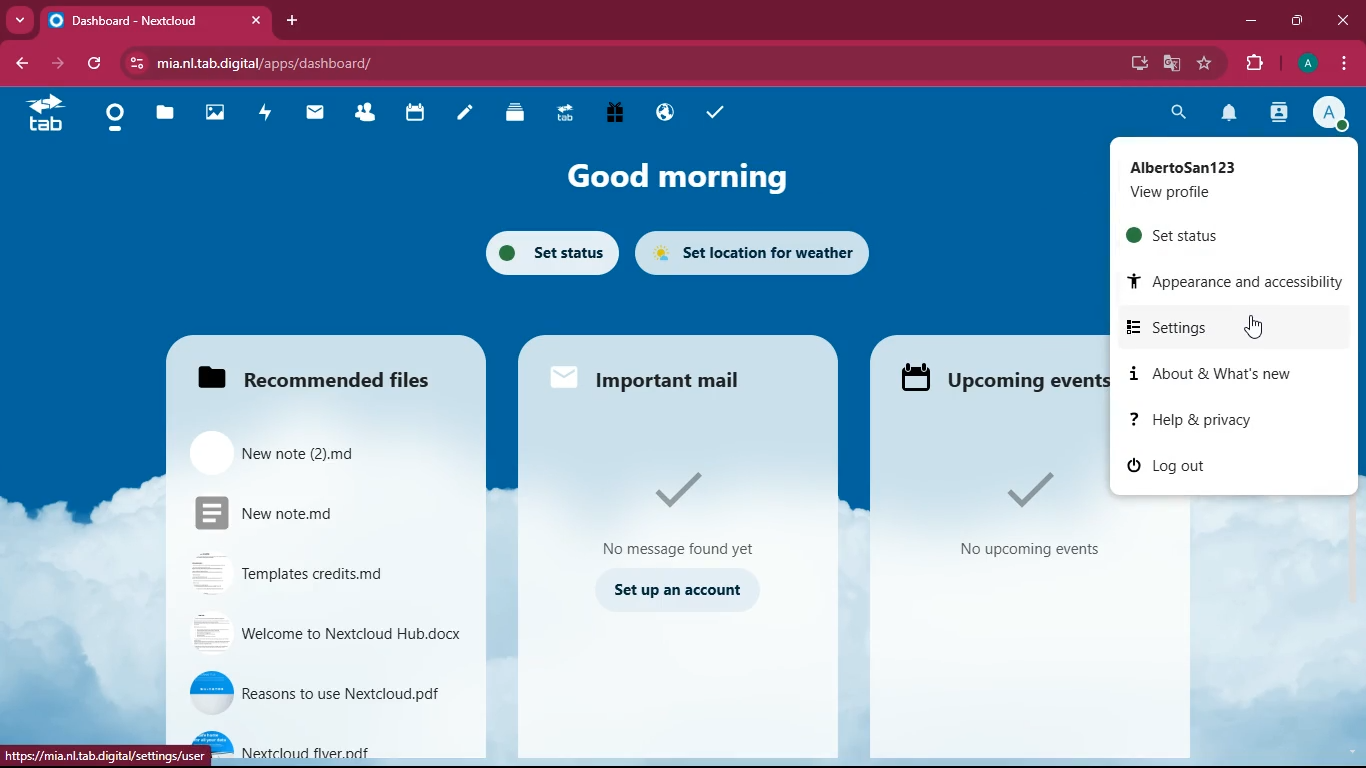 This screenshot has width=1366, height=768. Describe the element at coordinates (1135, 65) in the screenshot. I see `desktop` at that location.